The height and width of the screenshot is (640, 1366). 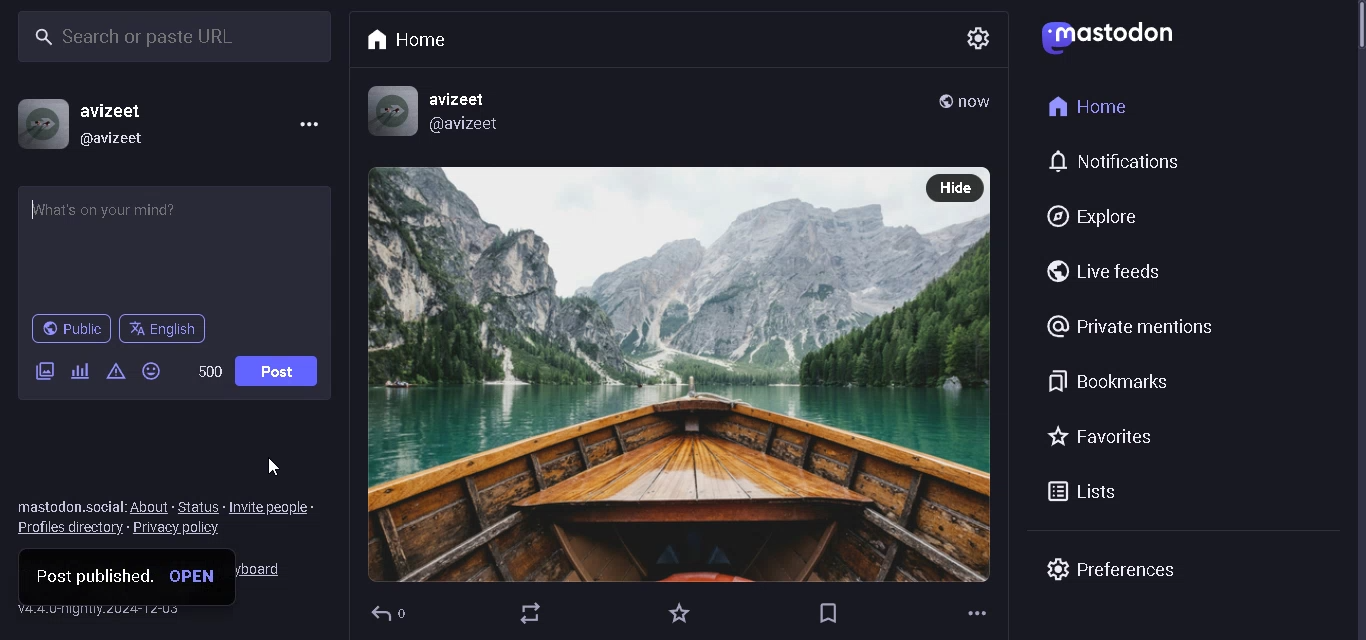 What do you see at coordinates (1088, 104) in the screenshot?
I see `home` at bounding box center [1088, 104].